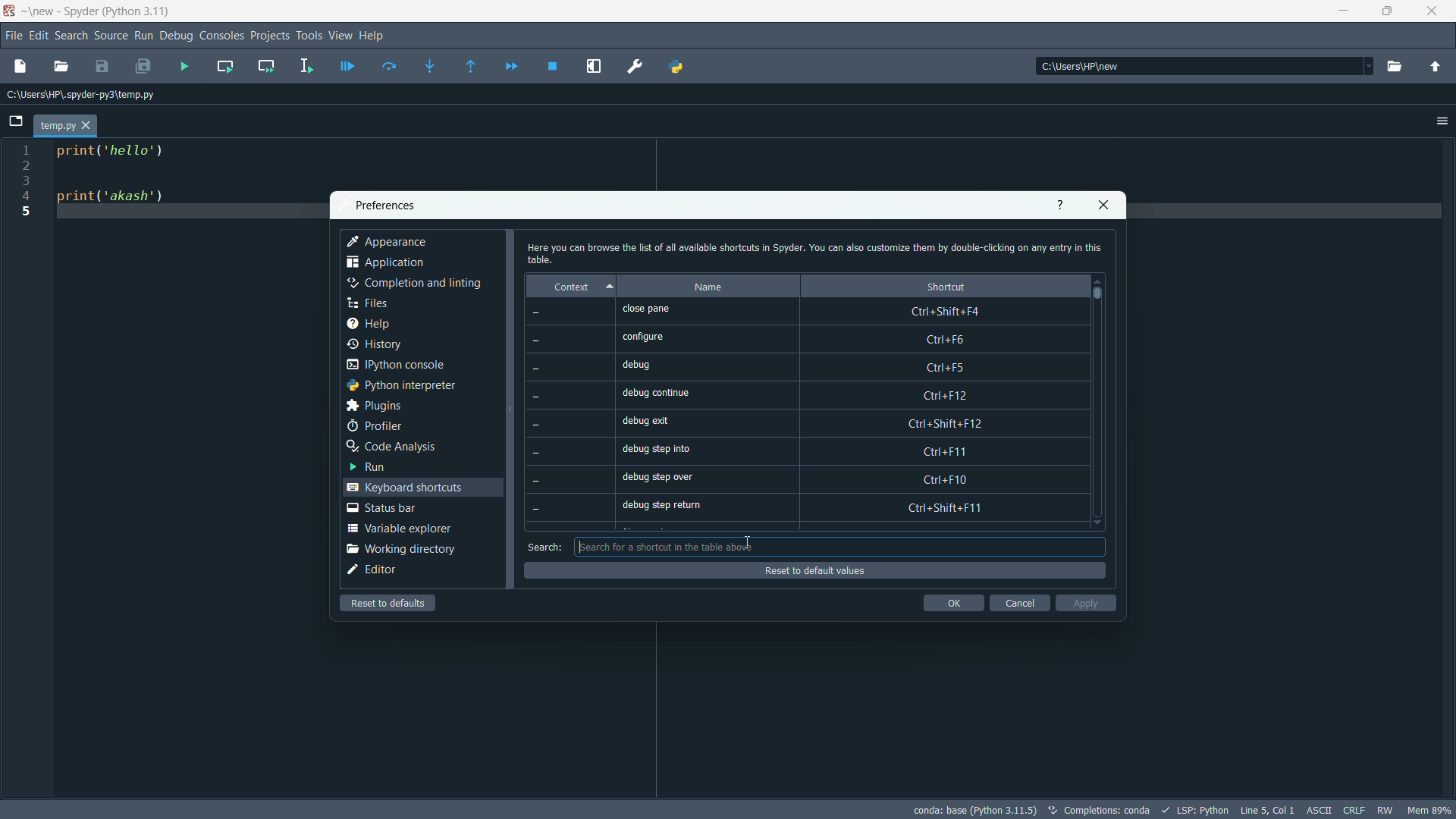  What do you see at coordinates (1430, 810) in the screenshot?
I see `Mem 88%` at bounding box center [1430, 810].